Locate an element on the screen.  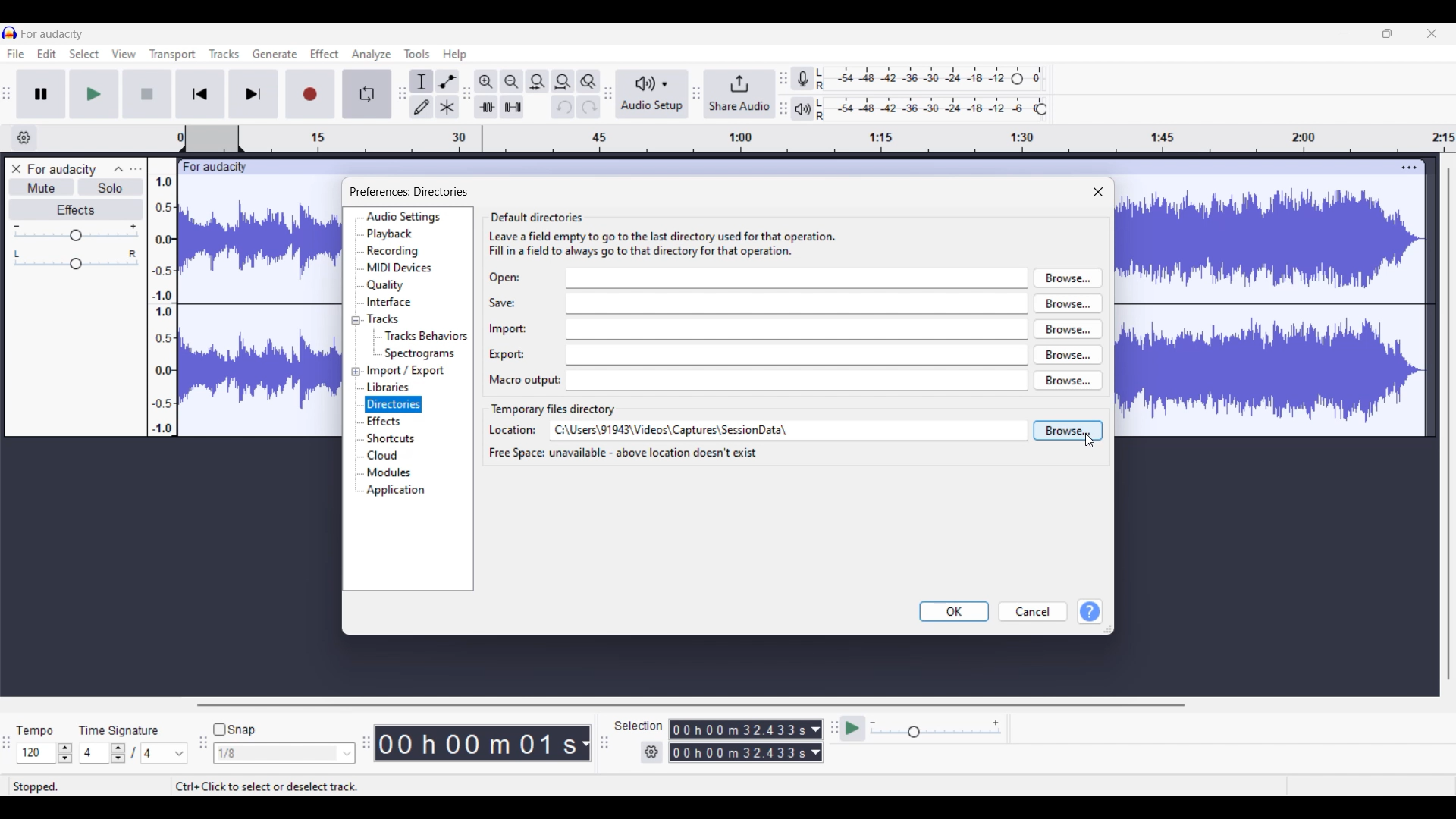
Effects is located at coordinates (77, 209).